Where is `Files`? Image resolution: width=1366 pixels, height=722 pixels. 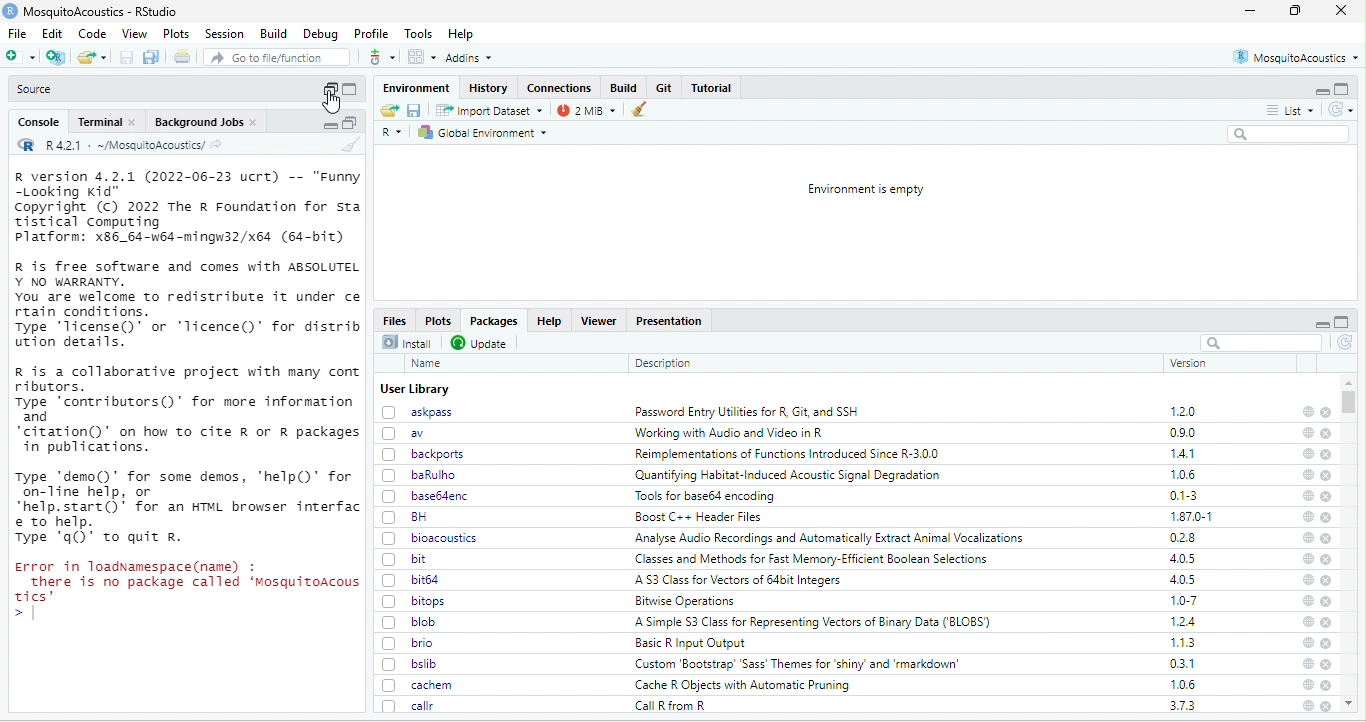 Files is located at coordinates (394, 321).